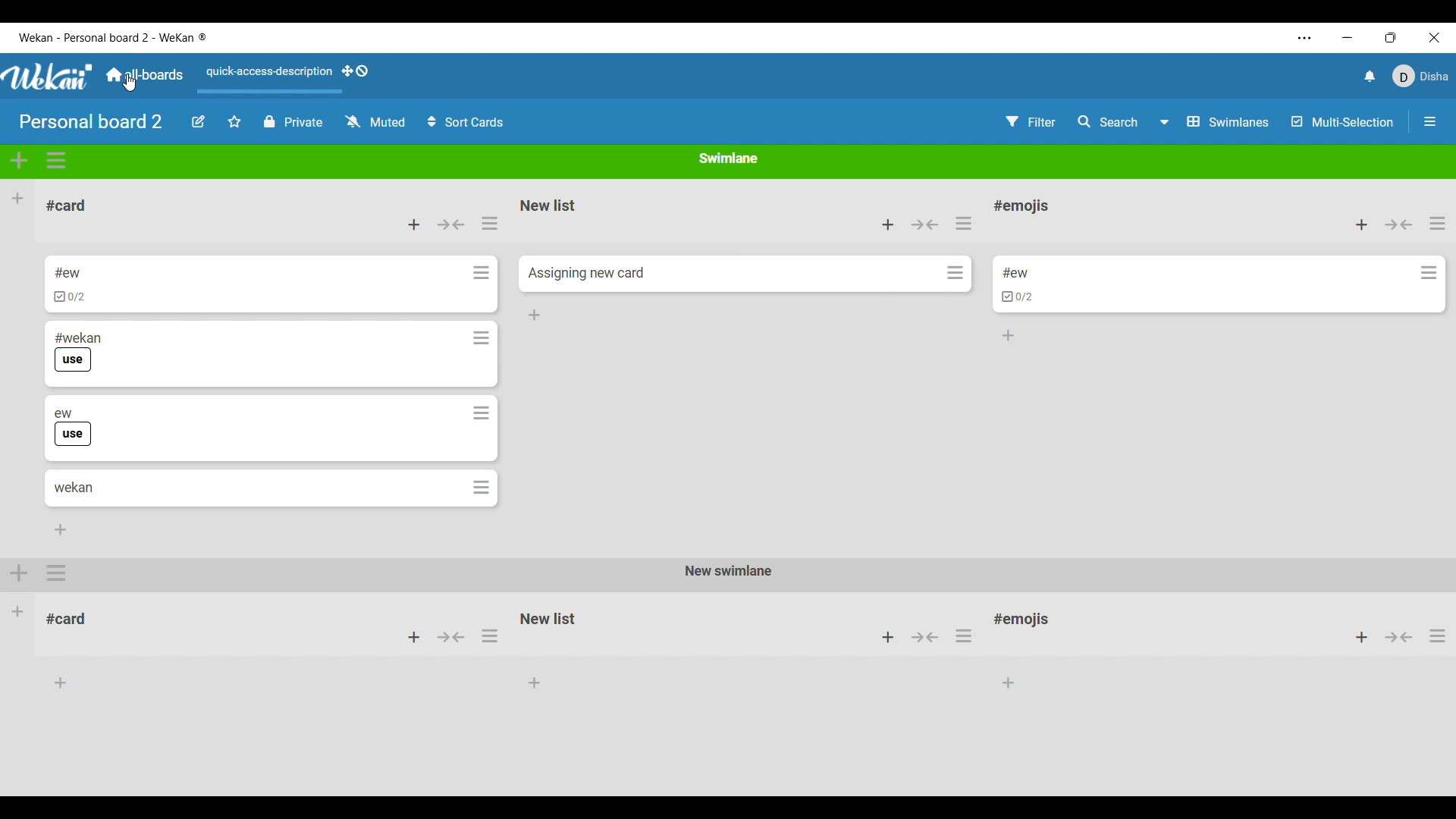 Image resolution: width=1456 pixels, height=819 pixels. What do you see at coordinates (1420, 77) in the screenshot?
I see `Current account ` at bounding box center [1420, 77].